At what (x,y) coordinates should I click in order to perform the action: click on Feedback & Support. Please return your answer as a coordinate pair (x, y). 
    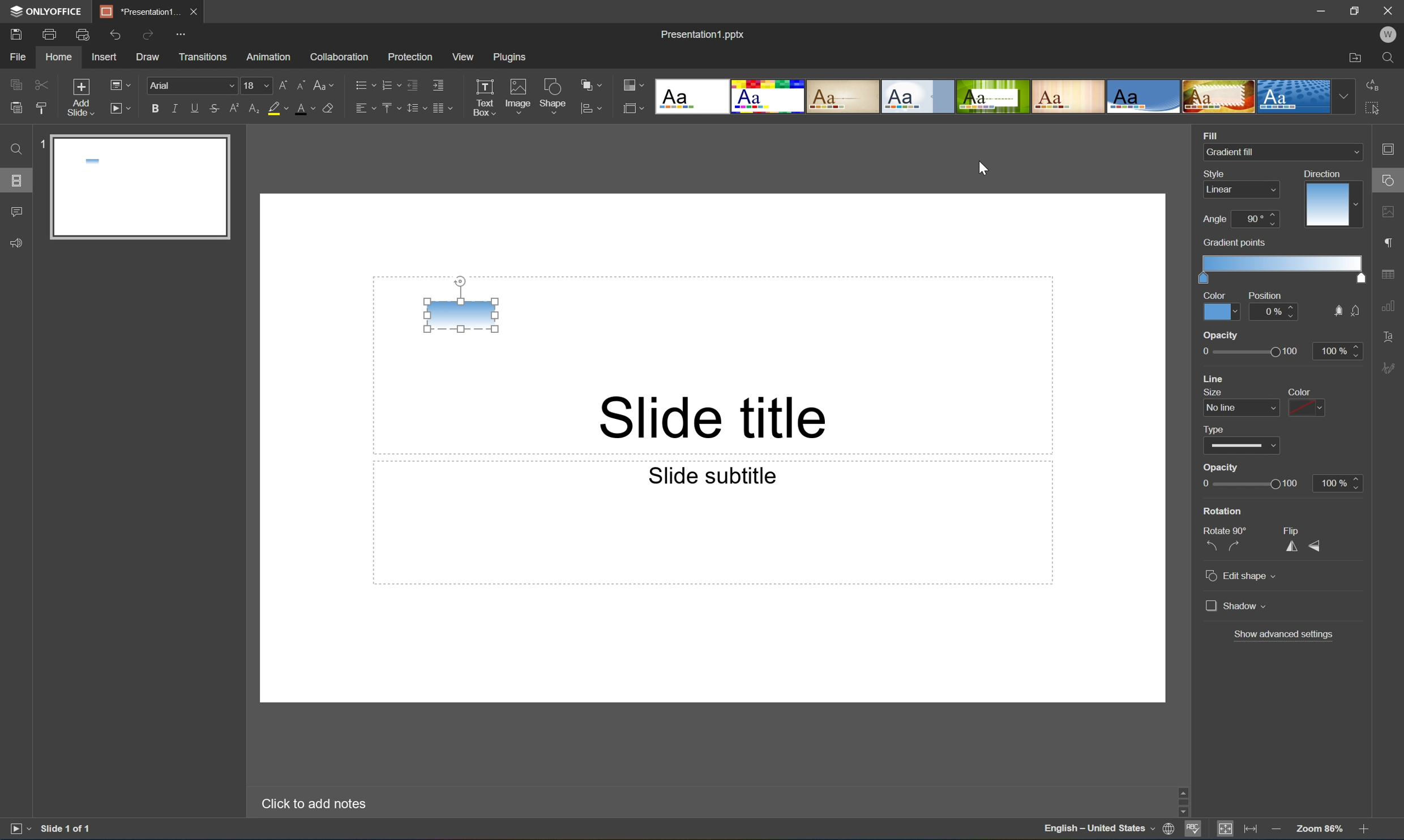
    Looking at the image, I should click on (18, 242).